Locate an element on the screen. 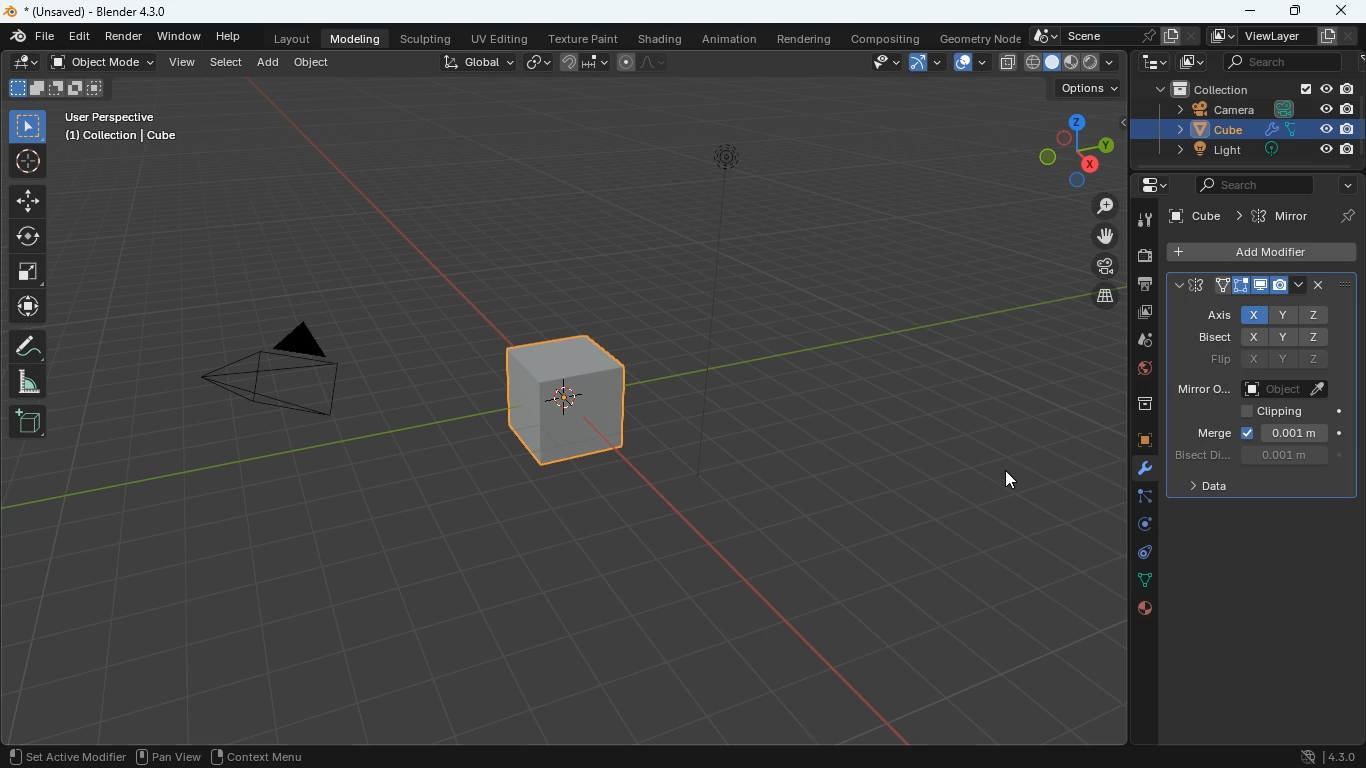  move is located at coordinates (29, 201).